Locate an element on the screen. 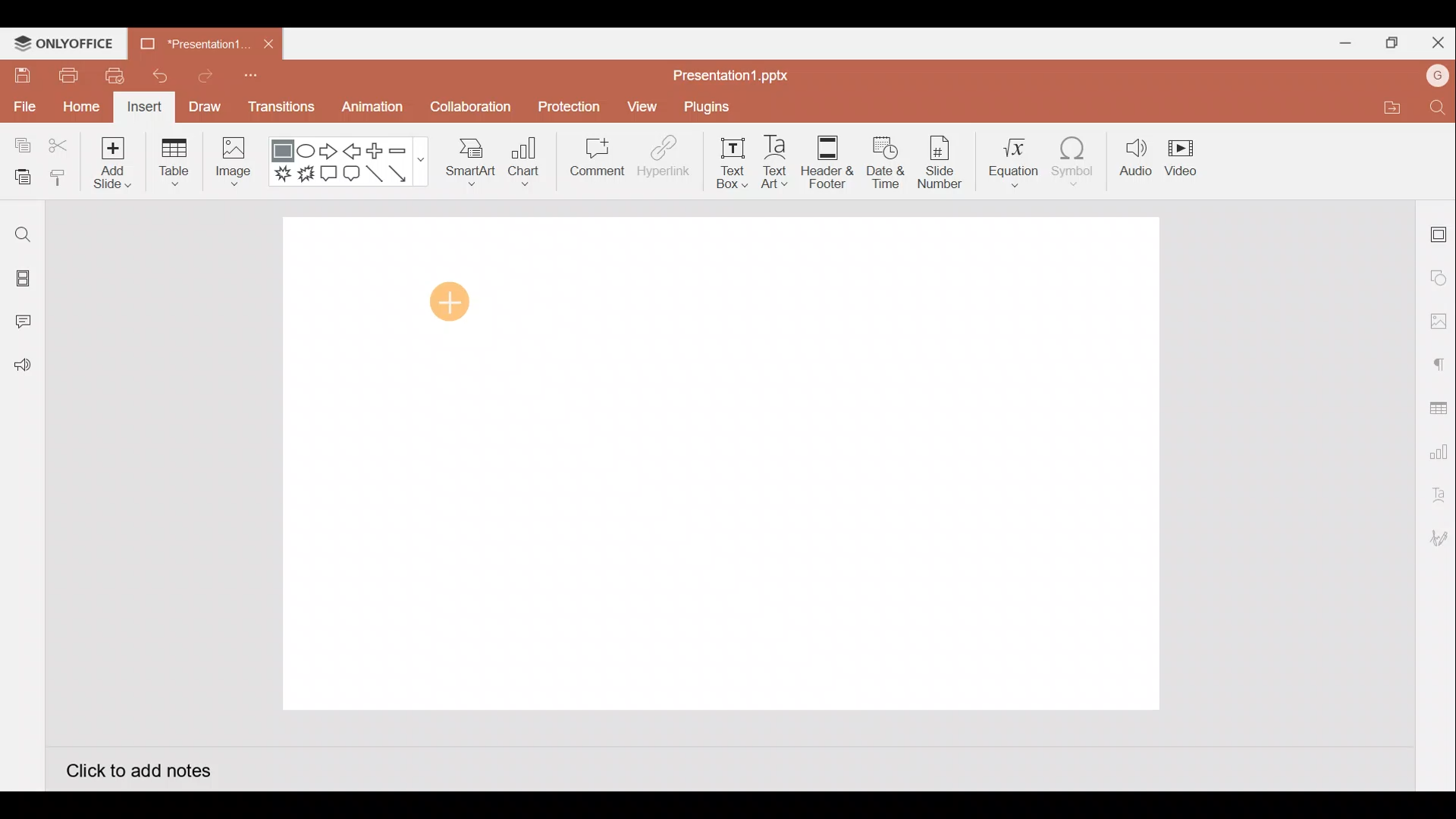 Image resolution: width=1456 pixels, height=819 pixels. ONLYOFFICE is located at coordinates (64, 43).